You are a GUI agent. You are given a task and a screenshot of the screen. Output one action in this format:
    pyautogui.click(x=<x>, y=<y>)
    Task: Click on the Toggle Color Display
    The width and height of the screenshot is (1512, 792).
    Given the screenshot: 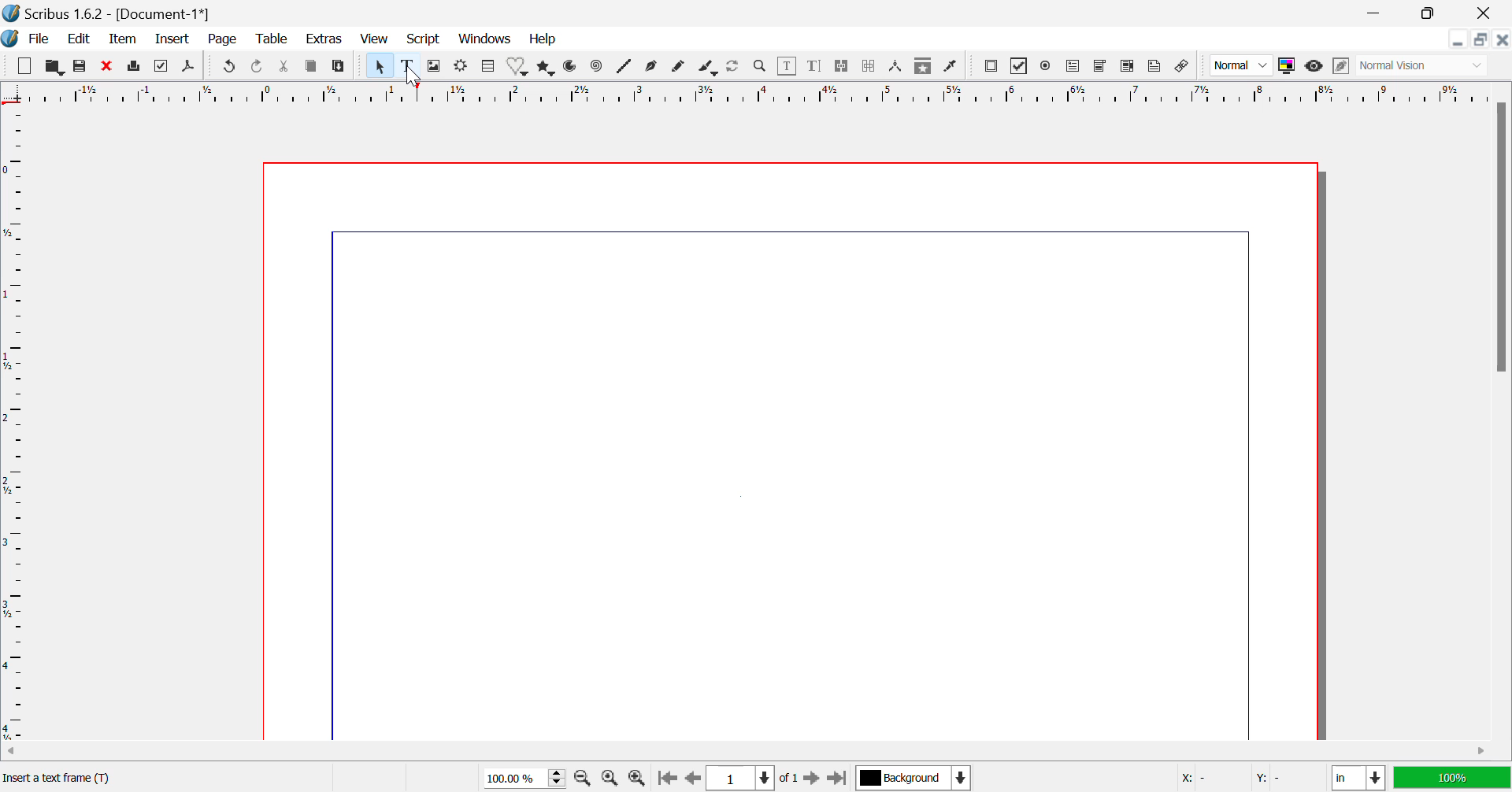 What is the action you would take?
    pyautogui.click(x=1289, y=67)
    